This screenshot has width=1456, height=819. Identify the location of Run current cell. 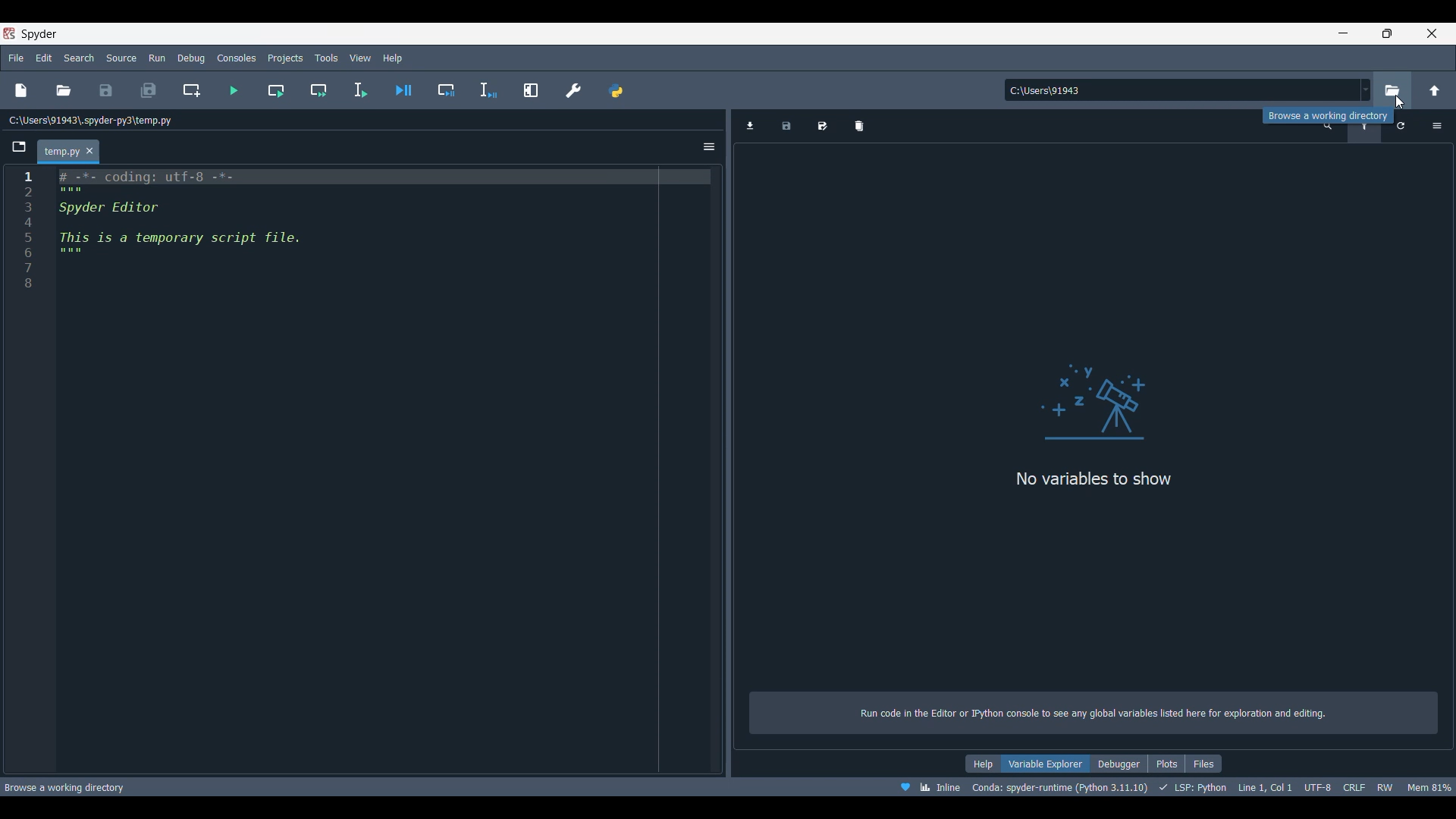
(276, 90).